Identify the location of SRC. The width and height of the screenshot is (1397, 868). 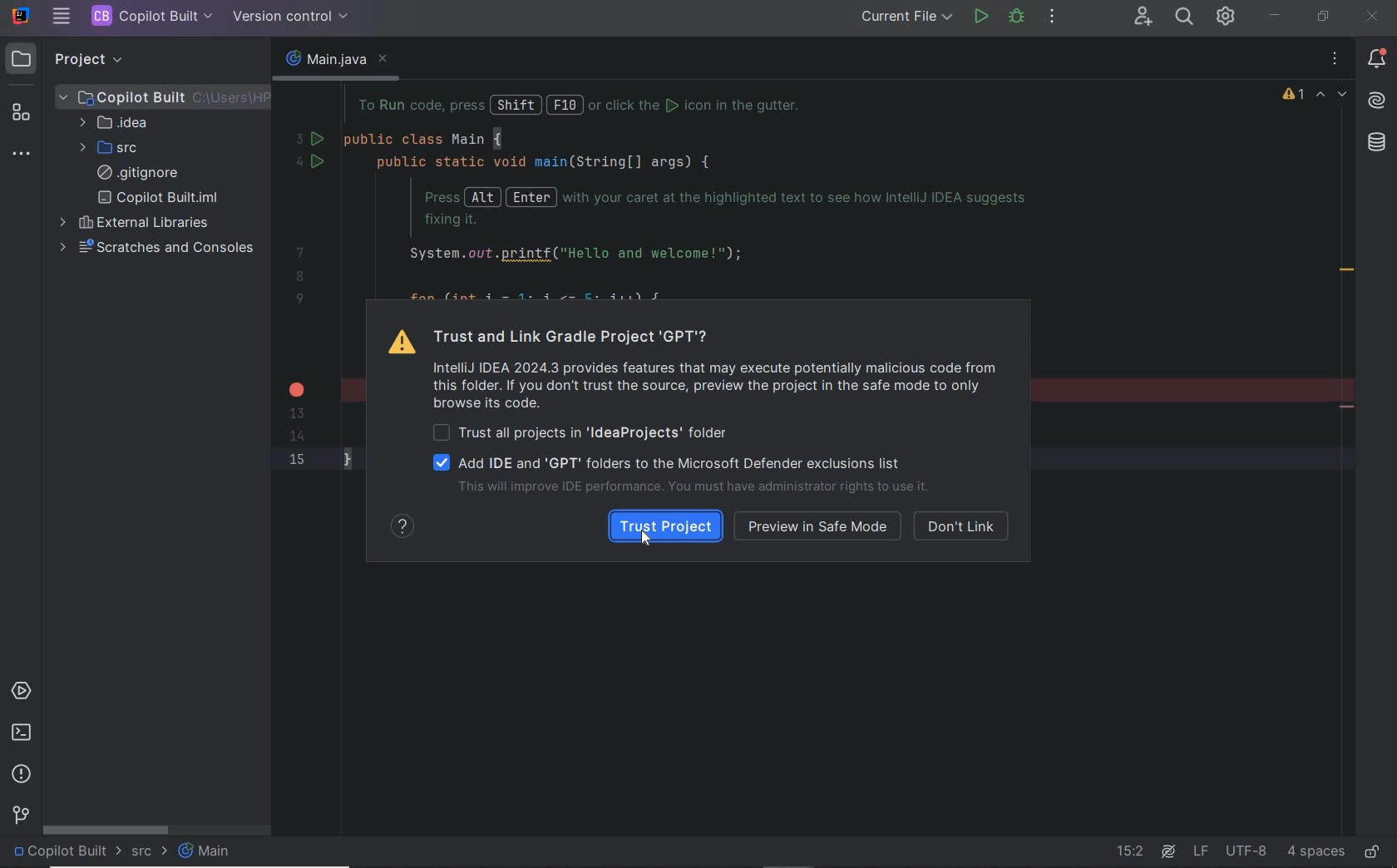
(111, 147).